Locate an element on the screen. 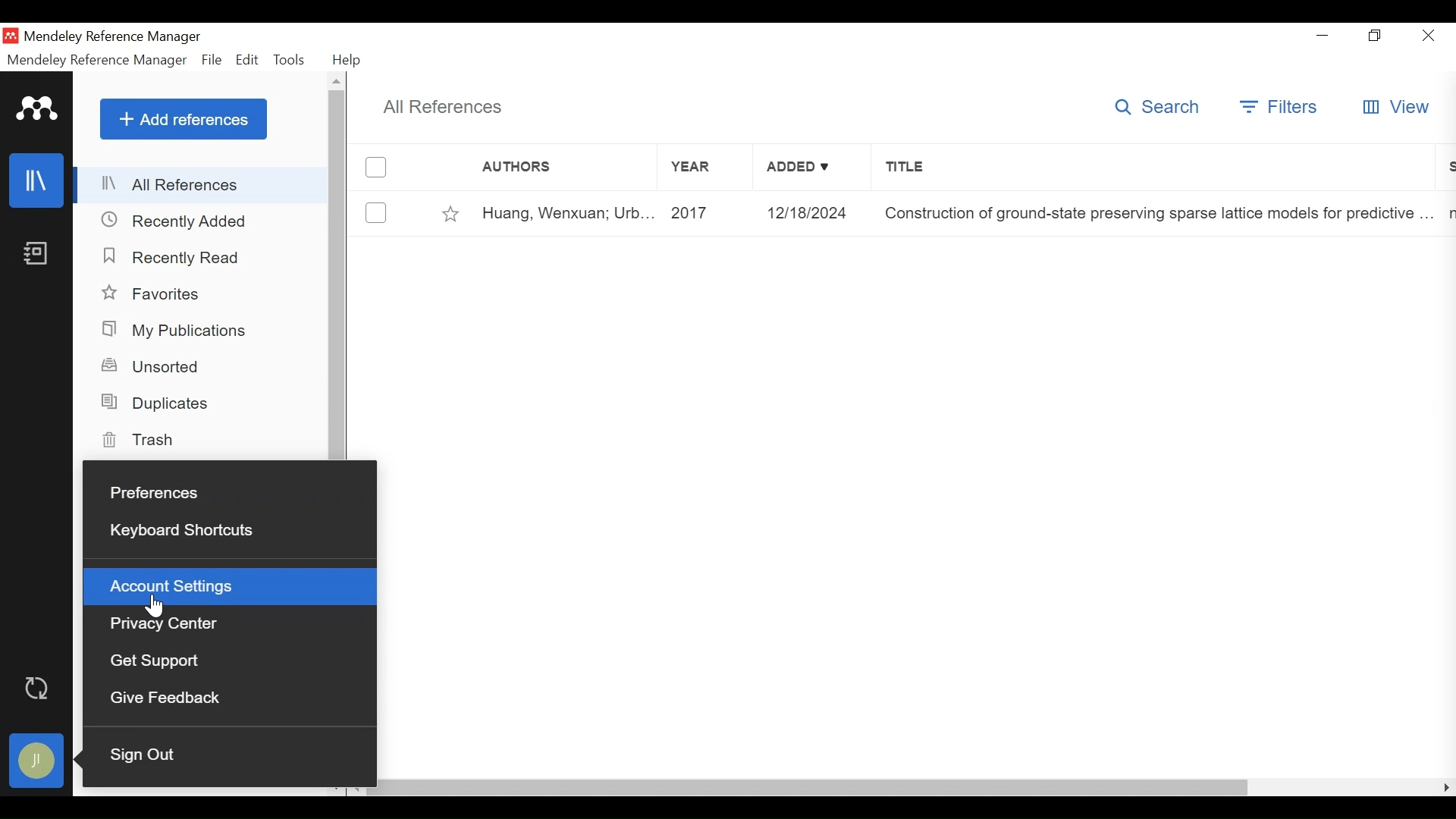 The image size is (1456, 819). Mendeley Reference Manager is located at coordinates (98, 61).